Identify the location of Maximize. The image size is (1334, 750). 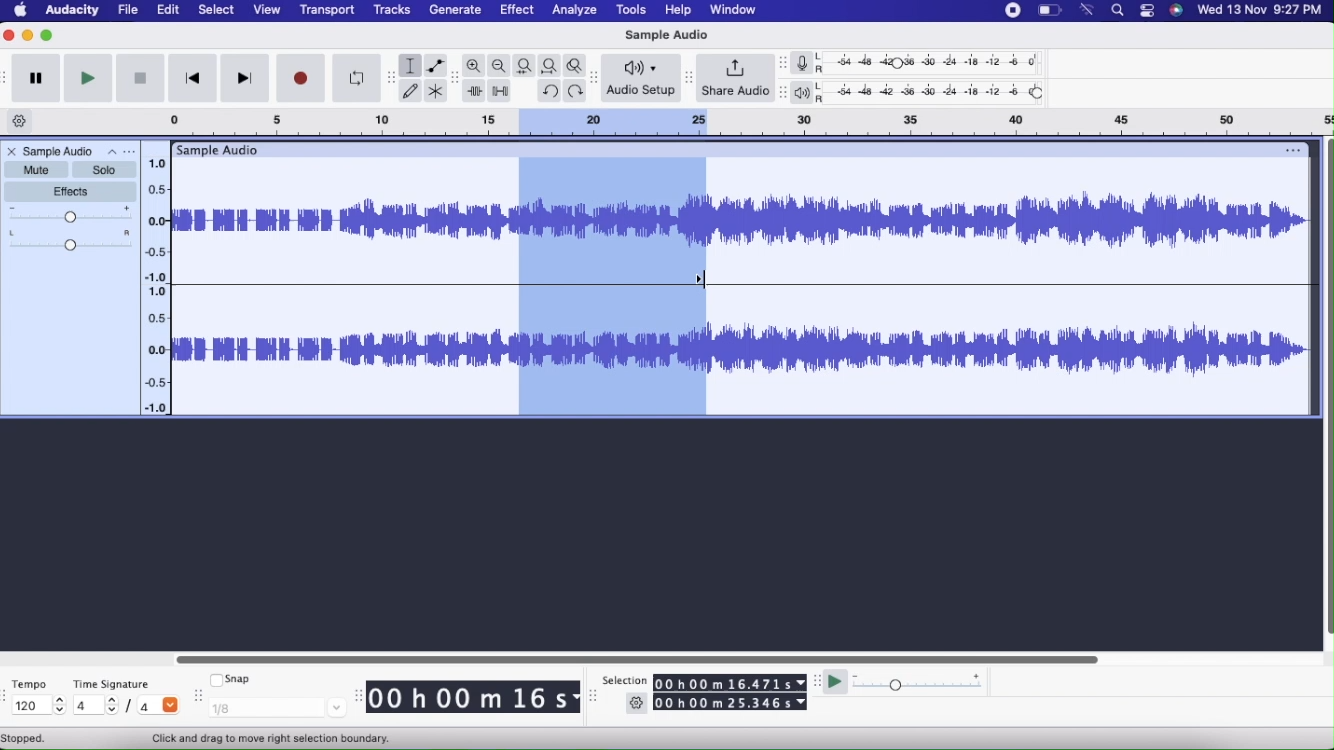
(48, 35).